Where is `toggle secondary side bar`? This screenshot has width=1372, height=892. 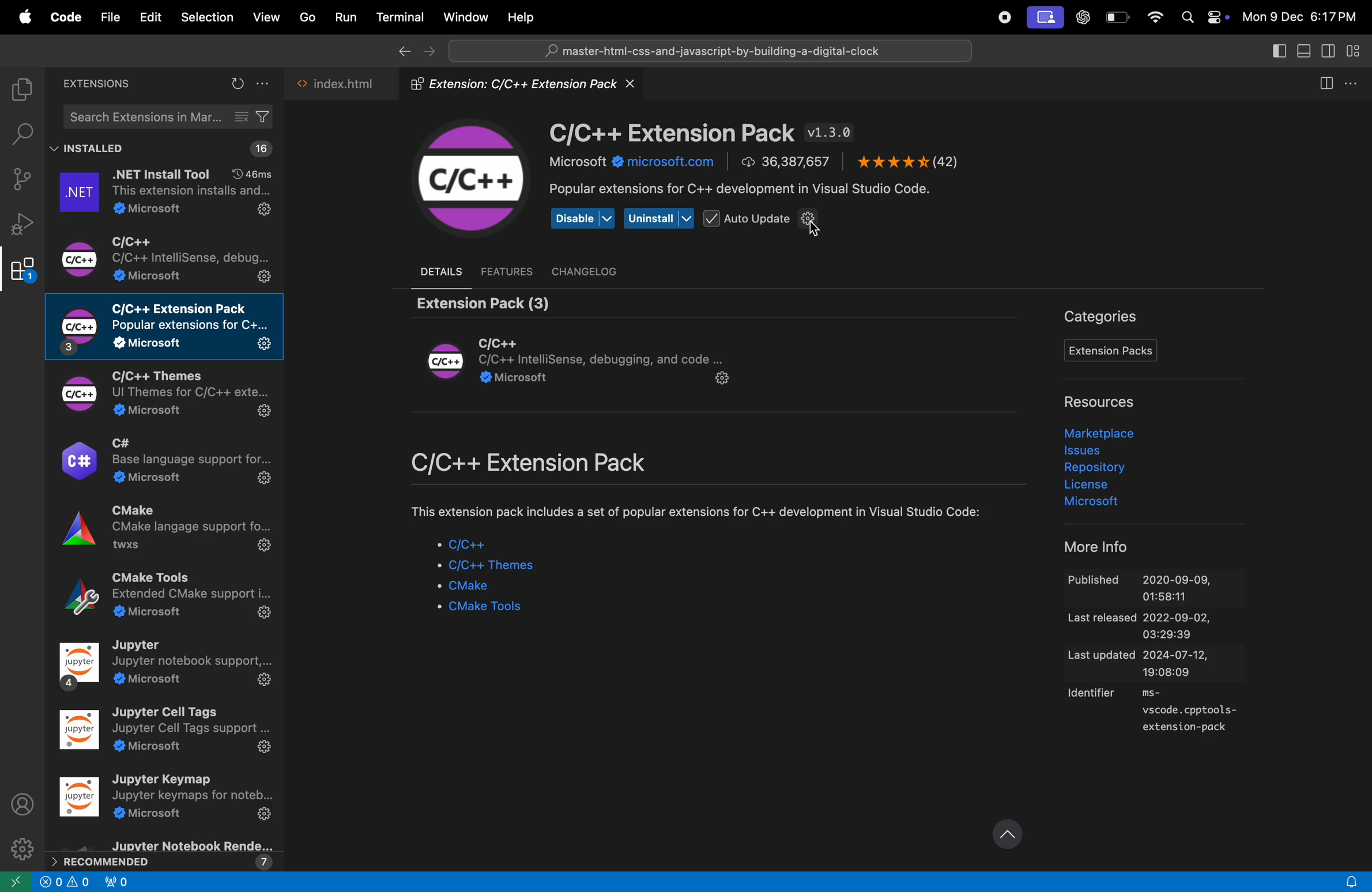
toggle secondary side bar is located at coordinates (1328, 51).